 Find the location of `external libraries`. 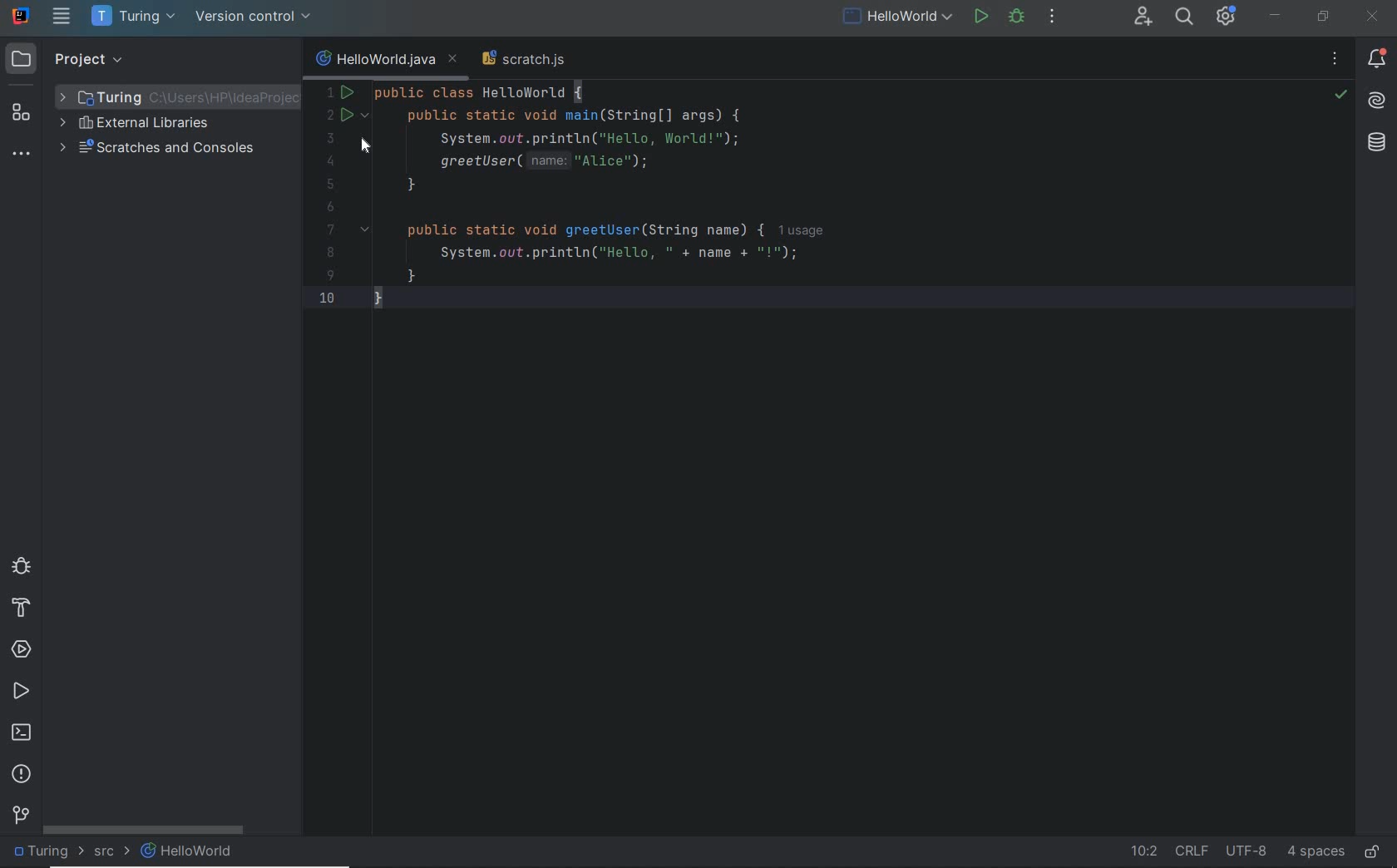

external libraries is located at coordinates (136, 125).